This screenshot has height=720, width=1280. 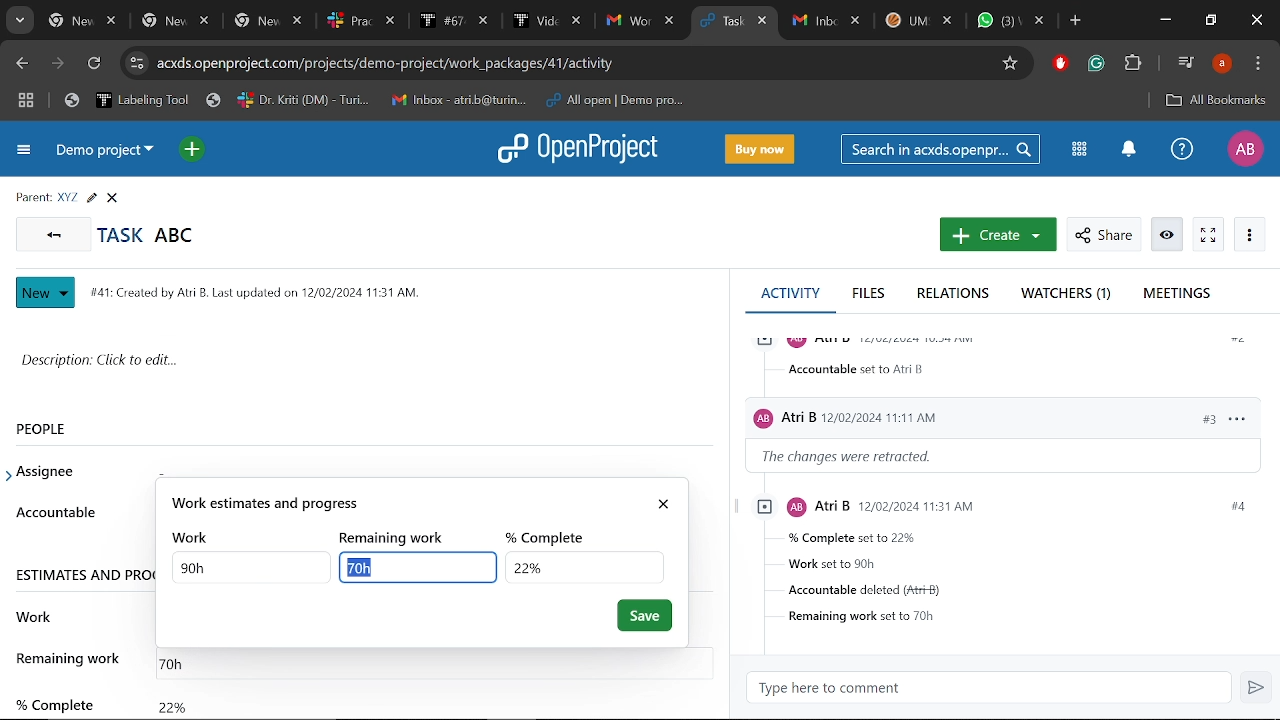 I want to click on the changes were retracted, so click(x=860, y=457).